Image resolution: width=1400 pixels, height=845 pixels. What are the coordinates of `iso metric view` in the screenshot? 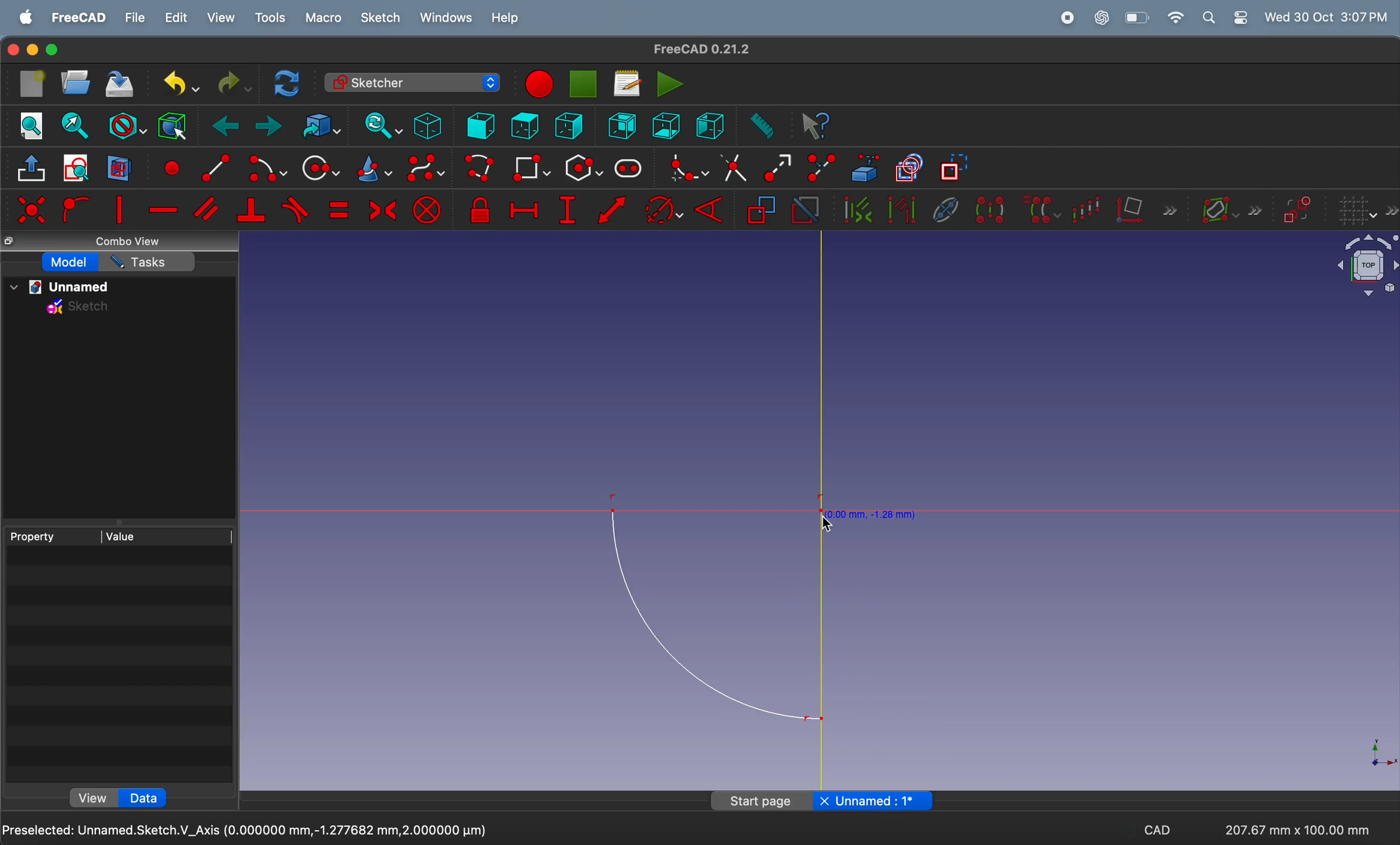 It's located at (427, 126).